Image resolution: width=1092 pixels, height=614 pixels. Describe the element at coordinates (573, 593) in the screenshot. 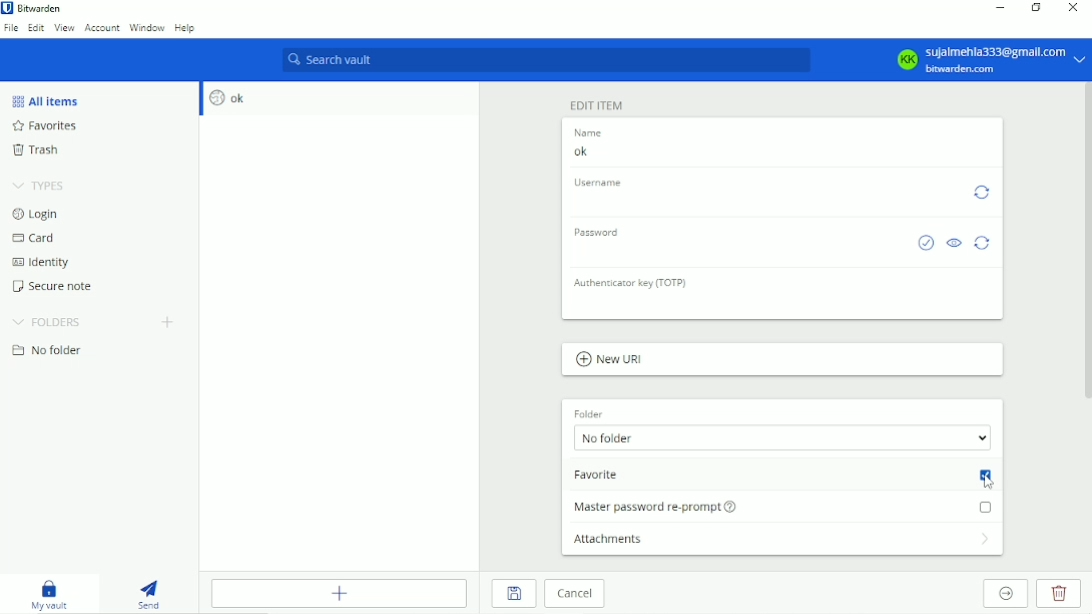

I see `Cancel` at that location.